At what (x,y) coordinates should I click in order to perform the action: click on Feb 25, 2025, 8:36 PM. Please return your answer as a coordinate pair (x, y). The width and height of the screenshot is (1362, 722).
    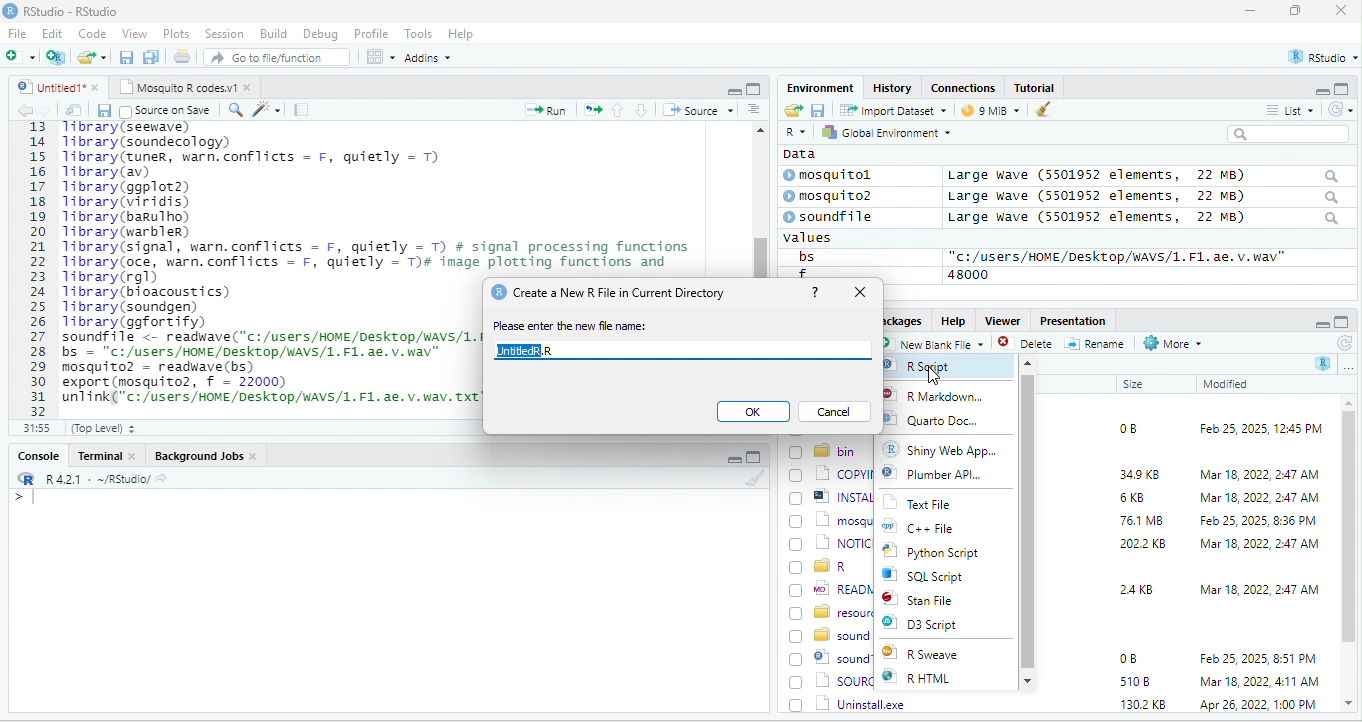
    Looking at the image, I should click on (1254, 520).